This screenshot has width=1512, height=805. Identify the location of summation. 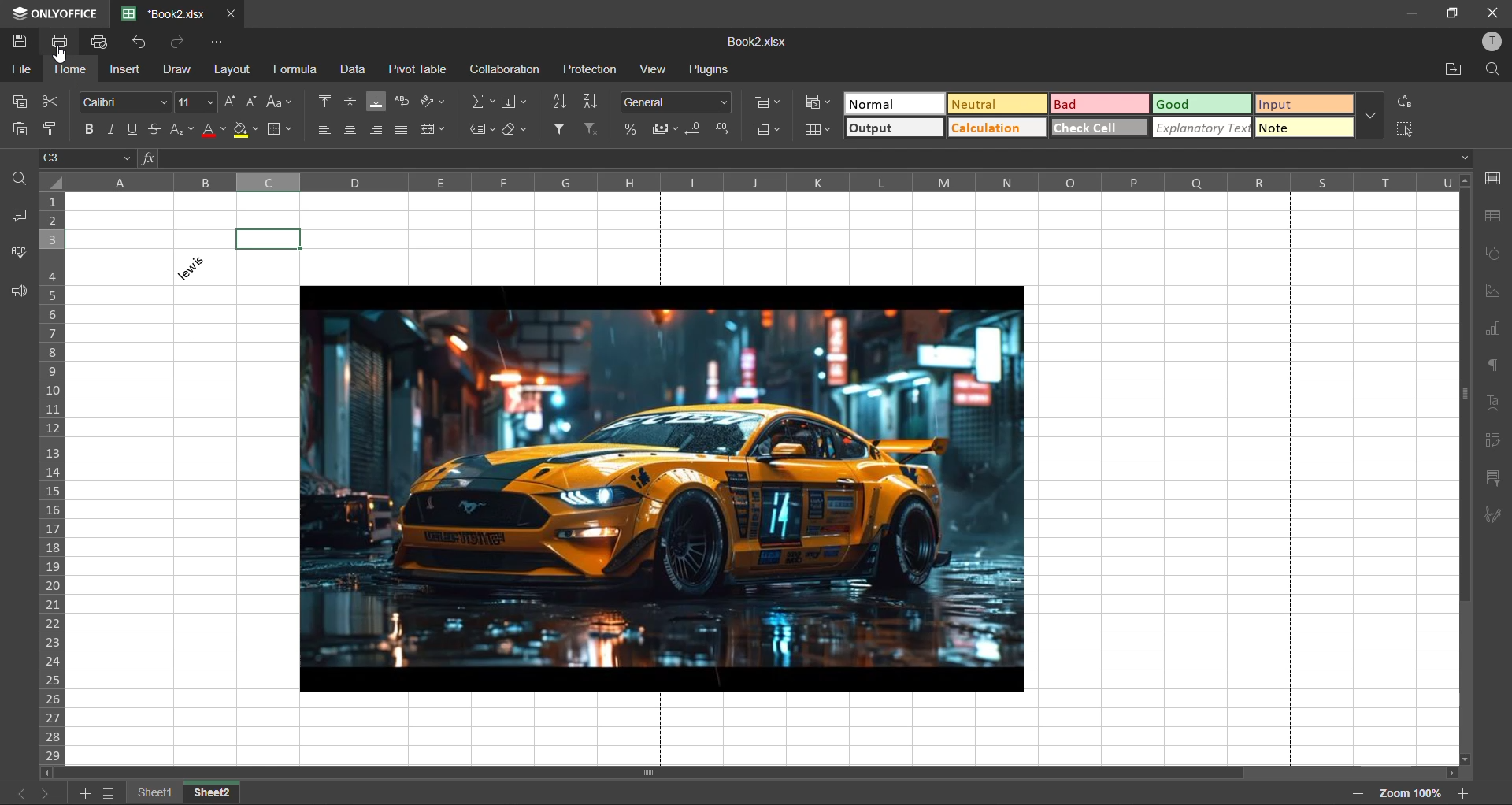
(484, 102).